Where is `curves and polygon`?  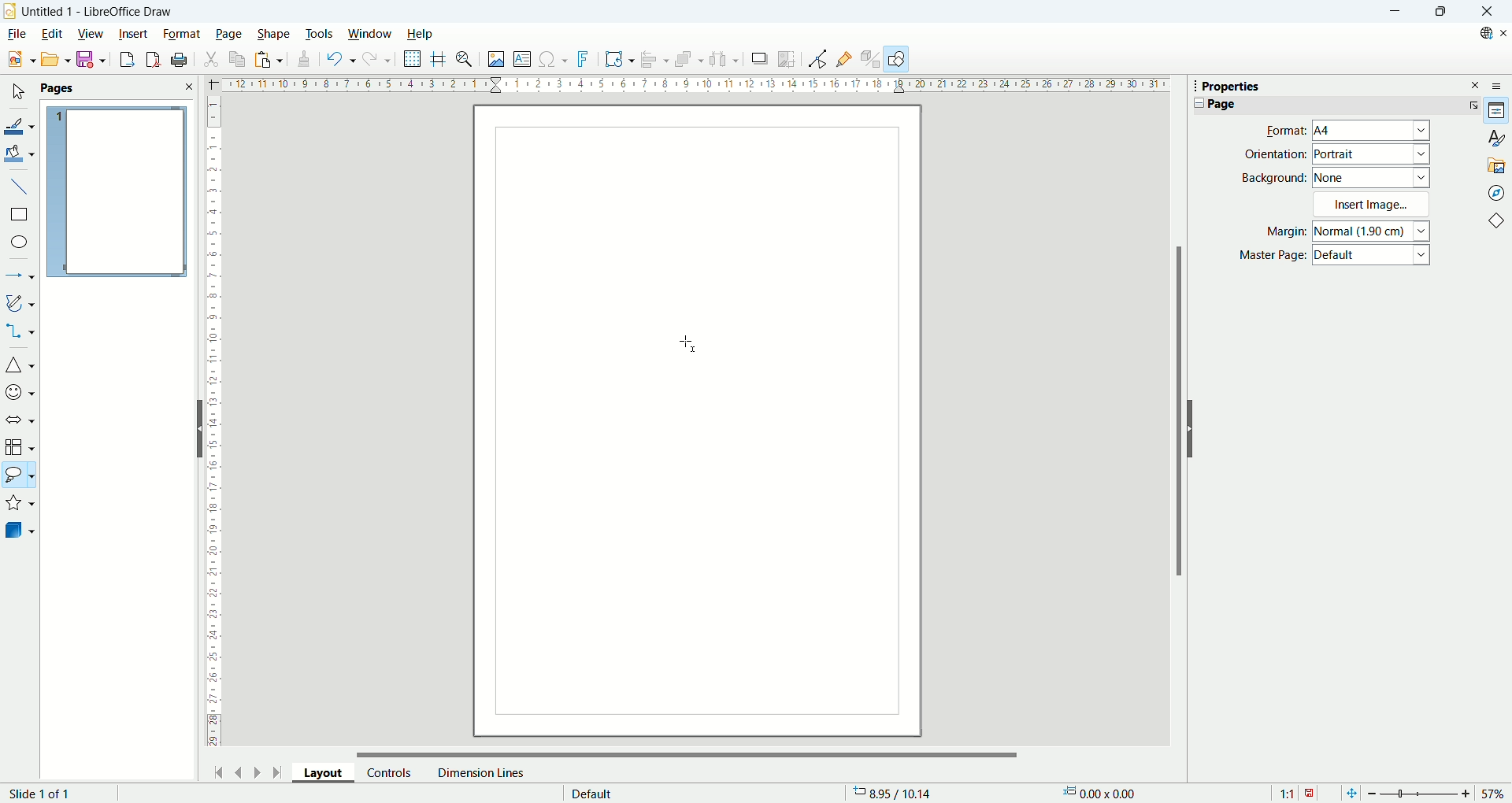 curves and polygon is located at coordinates (20, 303).